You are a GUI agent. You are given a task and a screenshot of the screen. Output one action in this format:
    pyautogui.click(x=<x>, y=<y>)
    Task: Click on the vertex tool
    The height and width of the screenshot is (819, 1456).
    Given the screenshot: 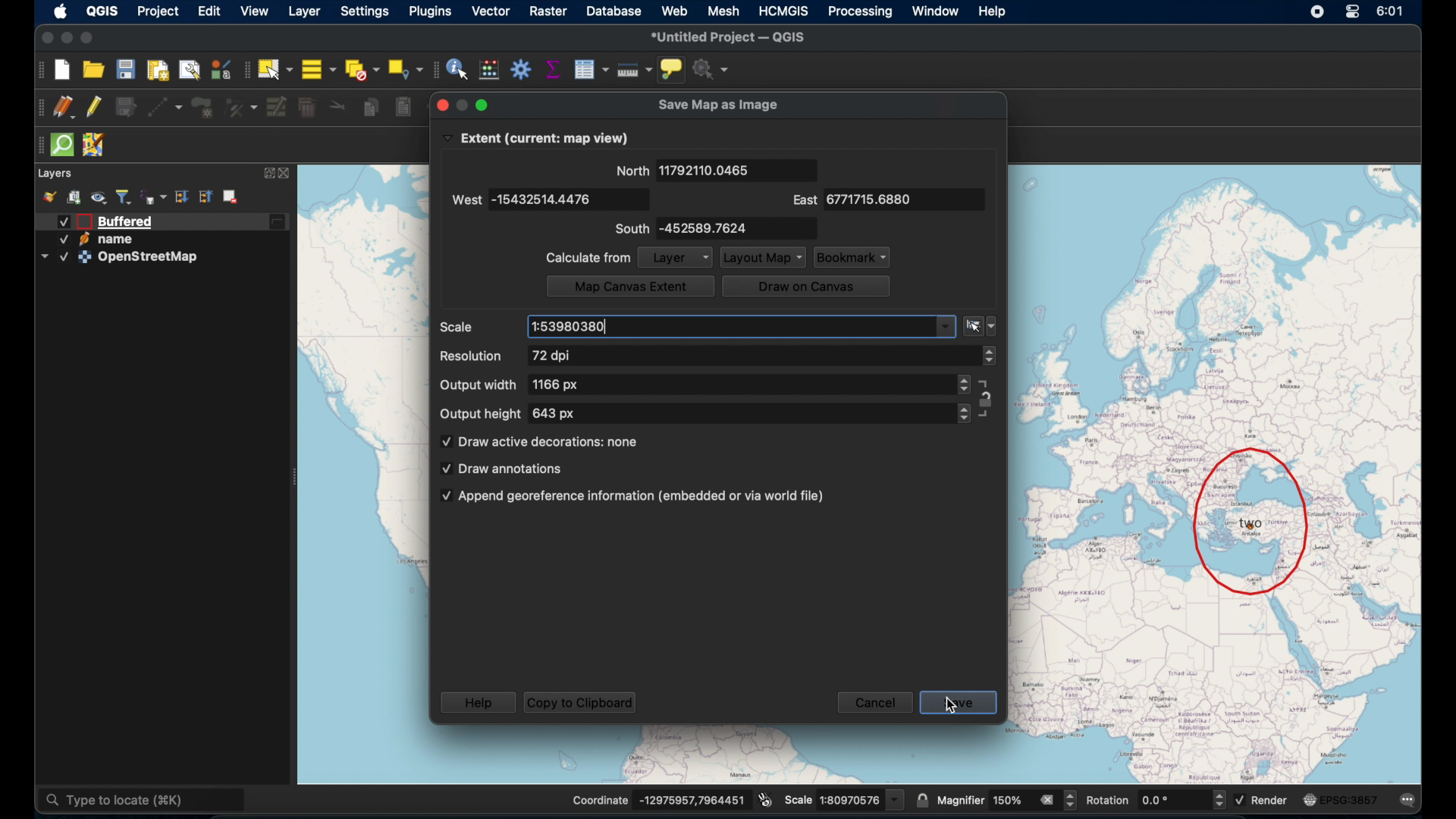 What is the action you would take?
    pyautogui.click(x=240, y=105)
    